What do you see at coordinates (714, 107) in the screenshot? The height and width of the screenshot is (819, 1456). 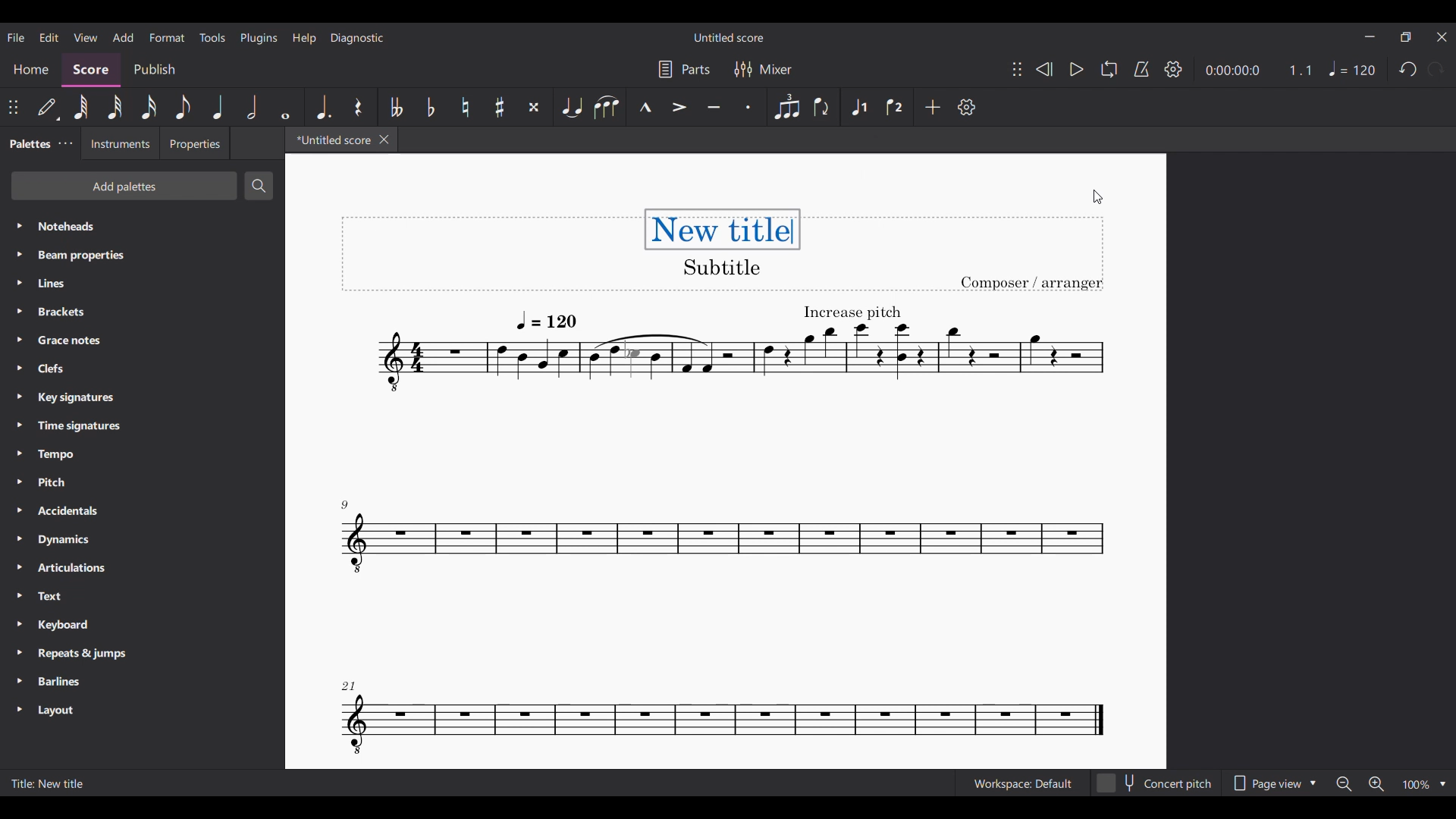 I see `Tenuto` at bounding box center [714, 107].